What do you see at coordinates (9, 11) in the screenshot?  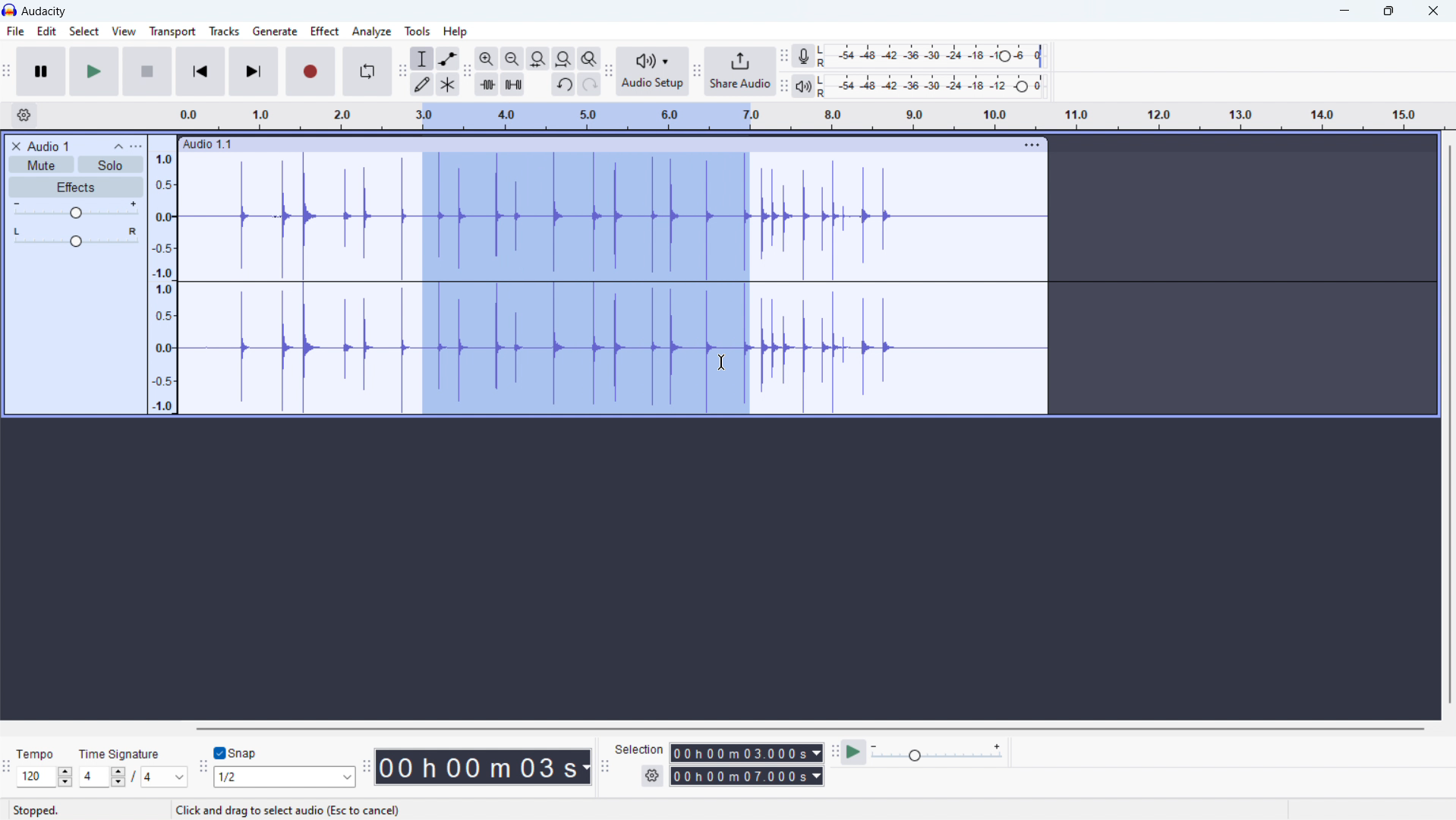 I see `logo` at bounding box center [9, 11].